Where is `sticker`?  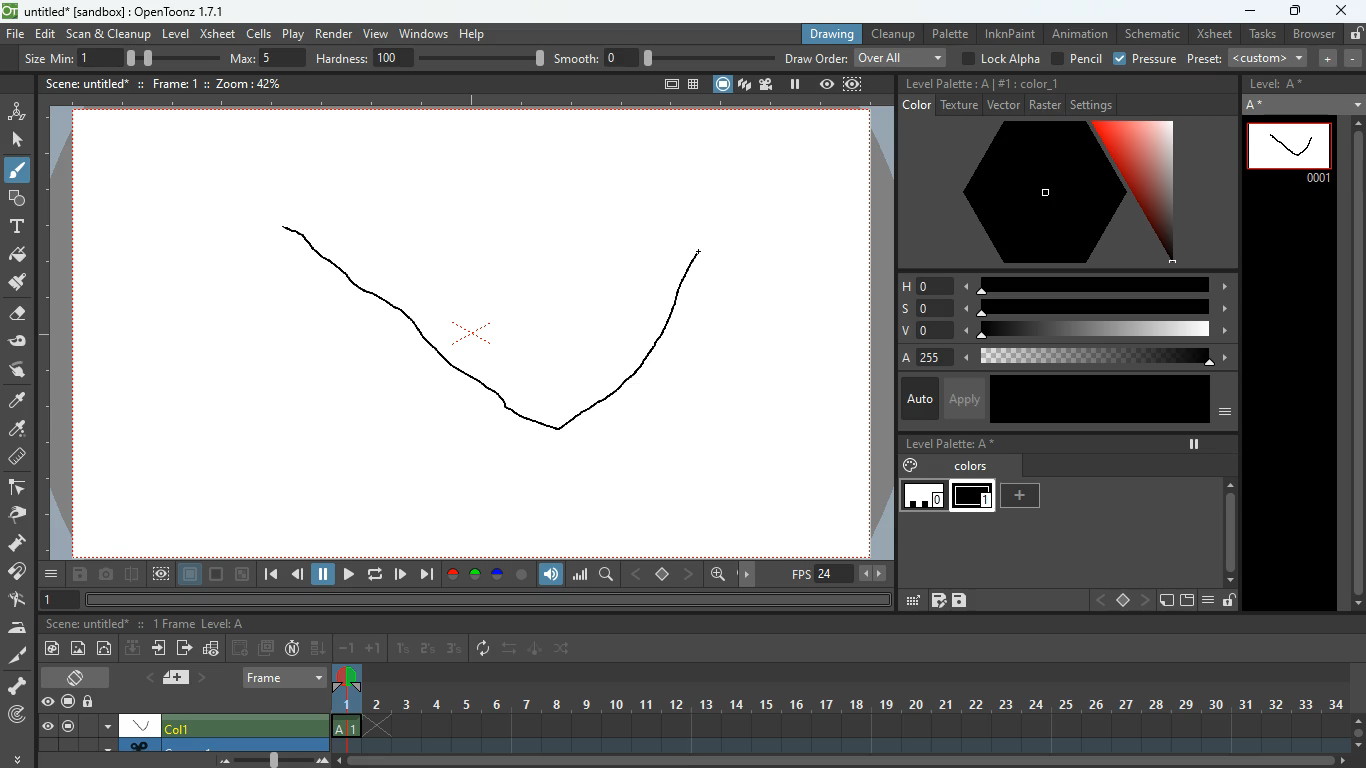
sticker is located at coordinates (1165, 601).